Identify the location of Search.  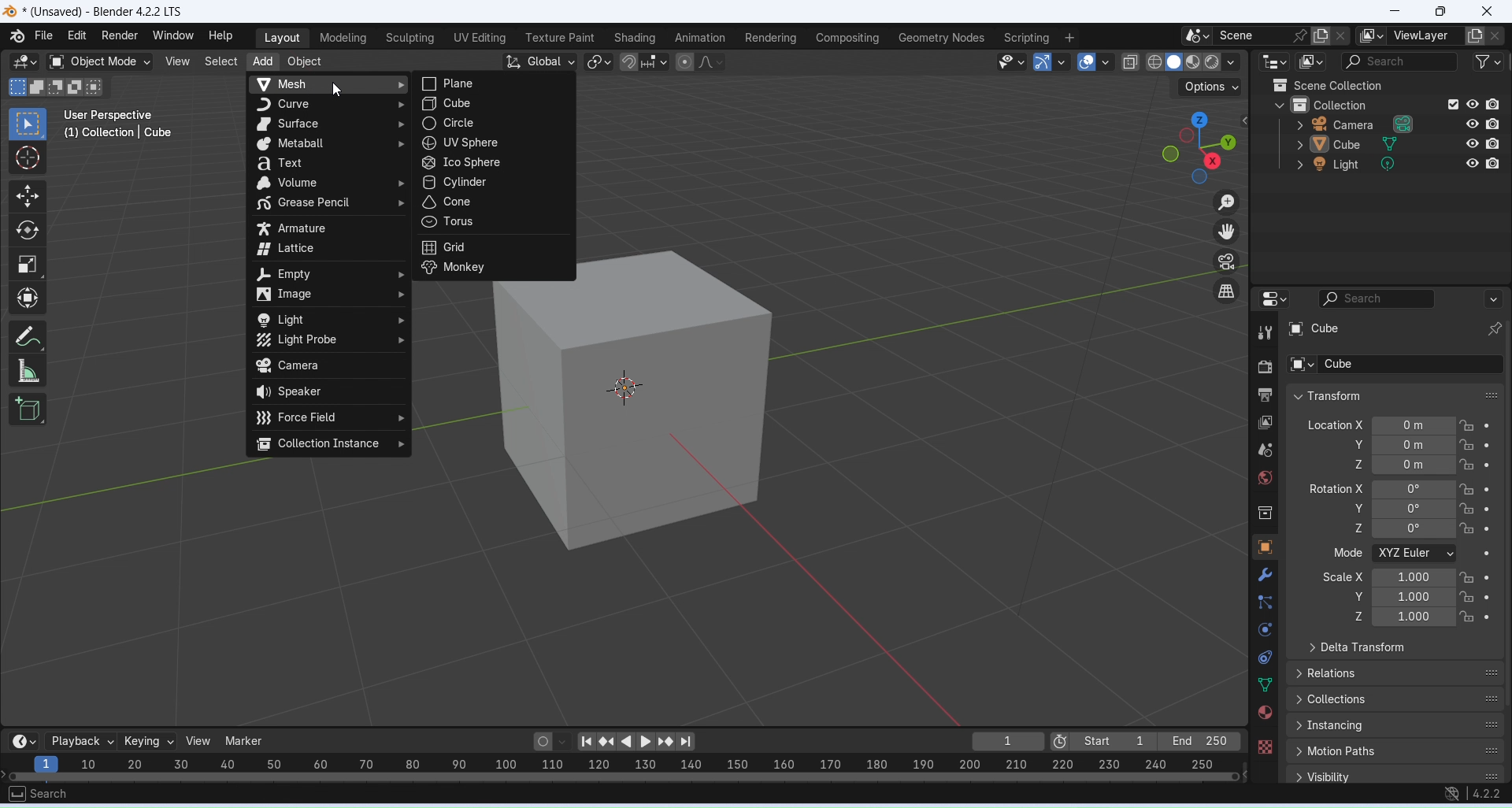
(1395, 61).